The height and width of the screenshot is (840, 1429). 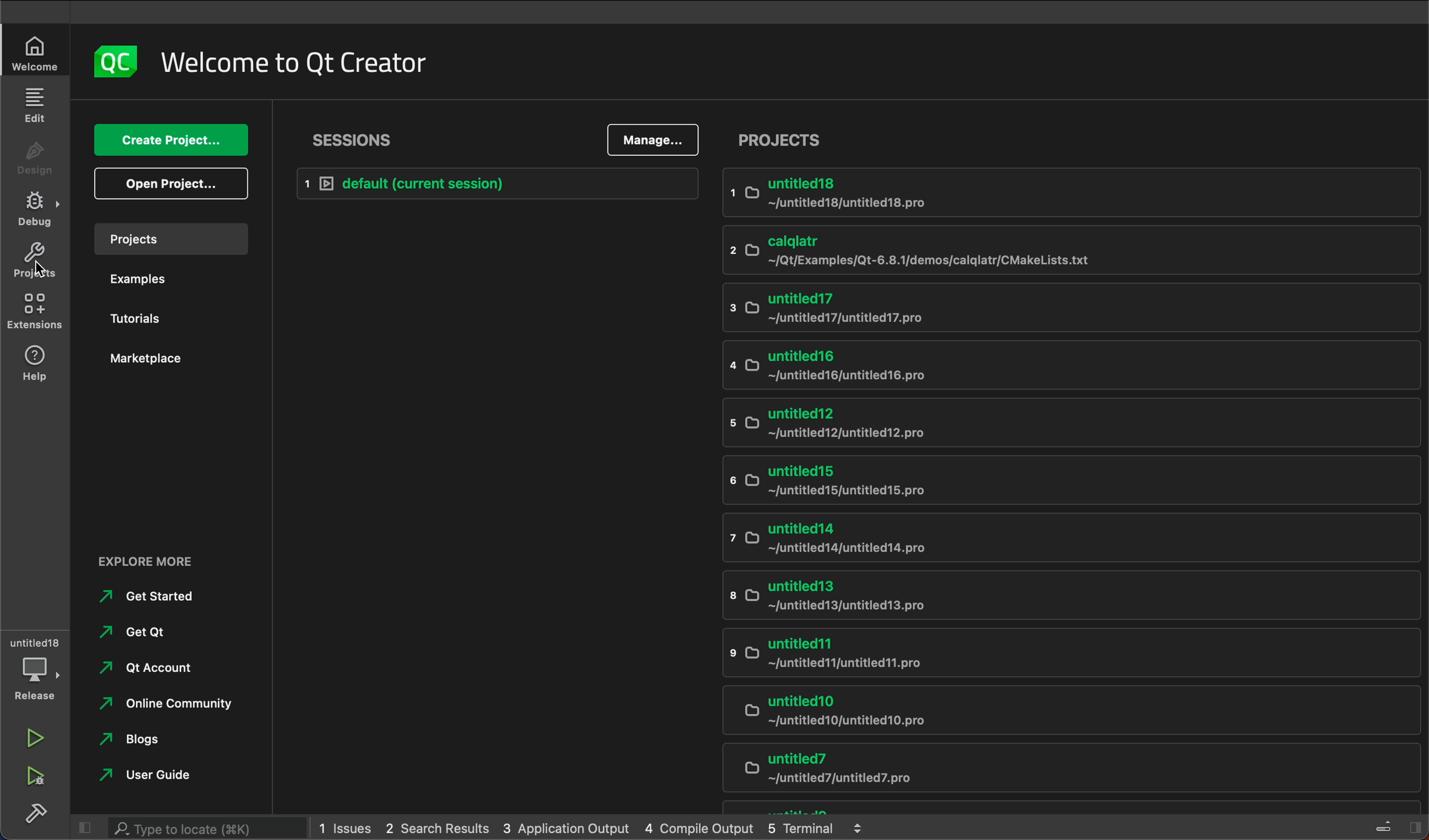 What do you see at coordinates (1055, 307) in the screenshot?
I see `untitled17` at bounding box center [1055, 307].